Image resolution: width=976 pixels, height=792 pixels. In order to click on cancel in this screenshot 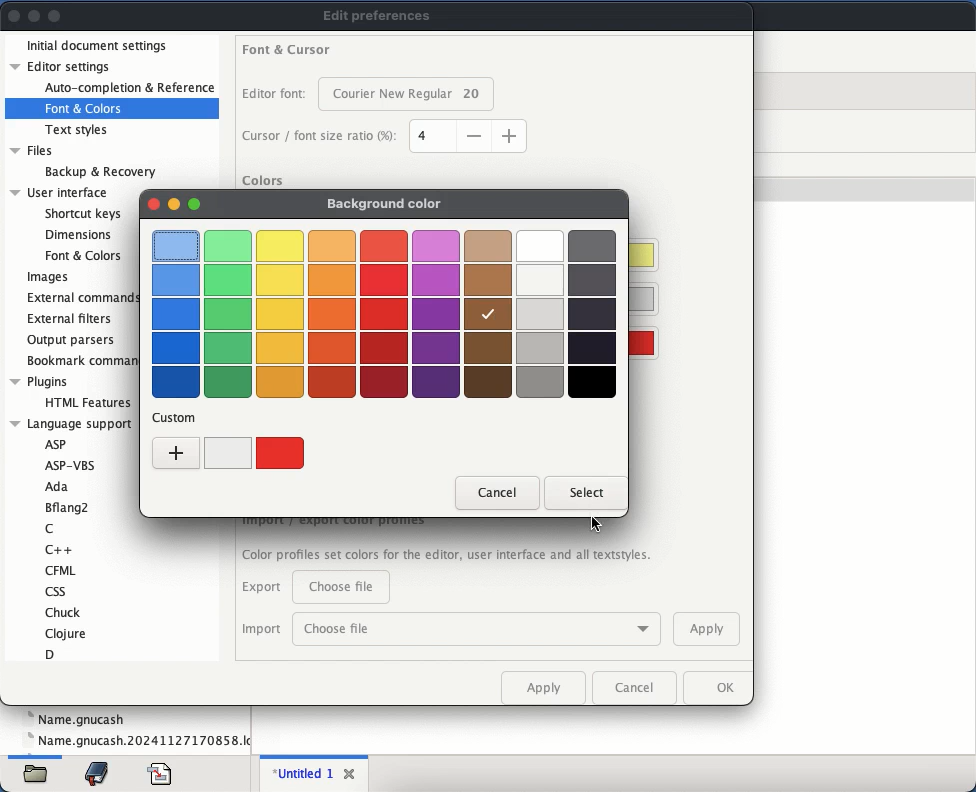, I will do `click(497, 492)`.